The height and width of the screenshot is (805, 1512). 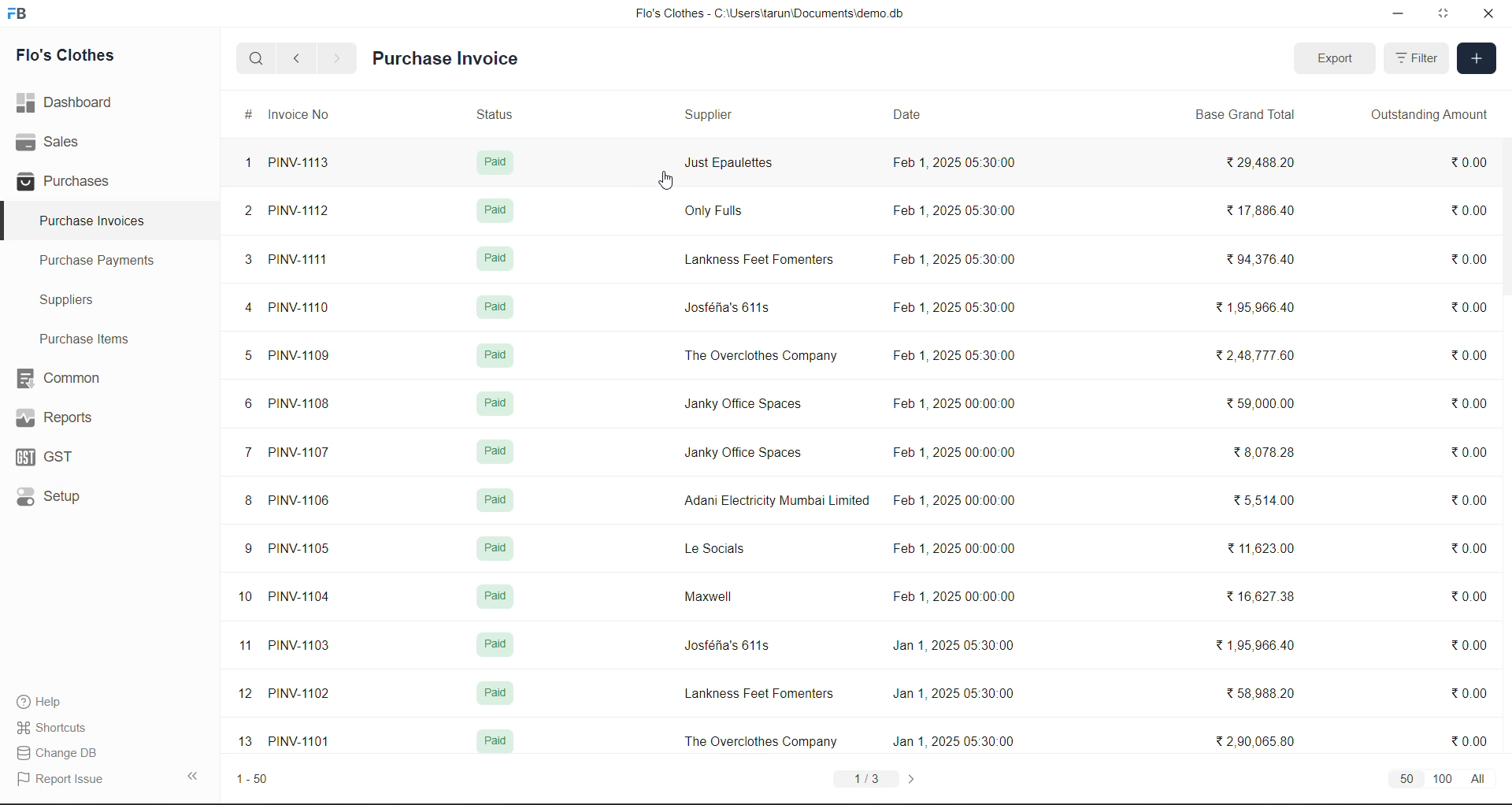 I want to click on collapse, so click(x=198, y=777).